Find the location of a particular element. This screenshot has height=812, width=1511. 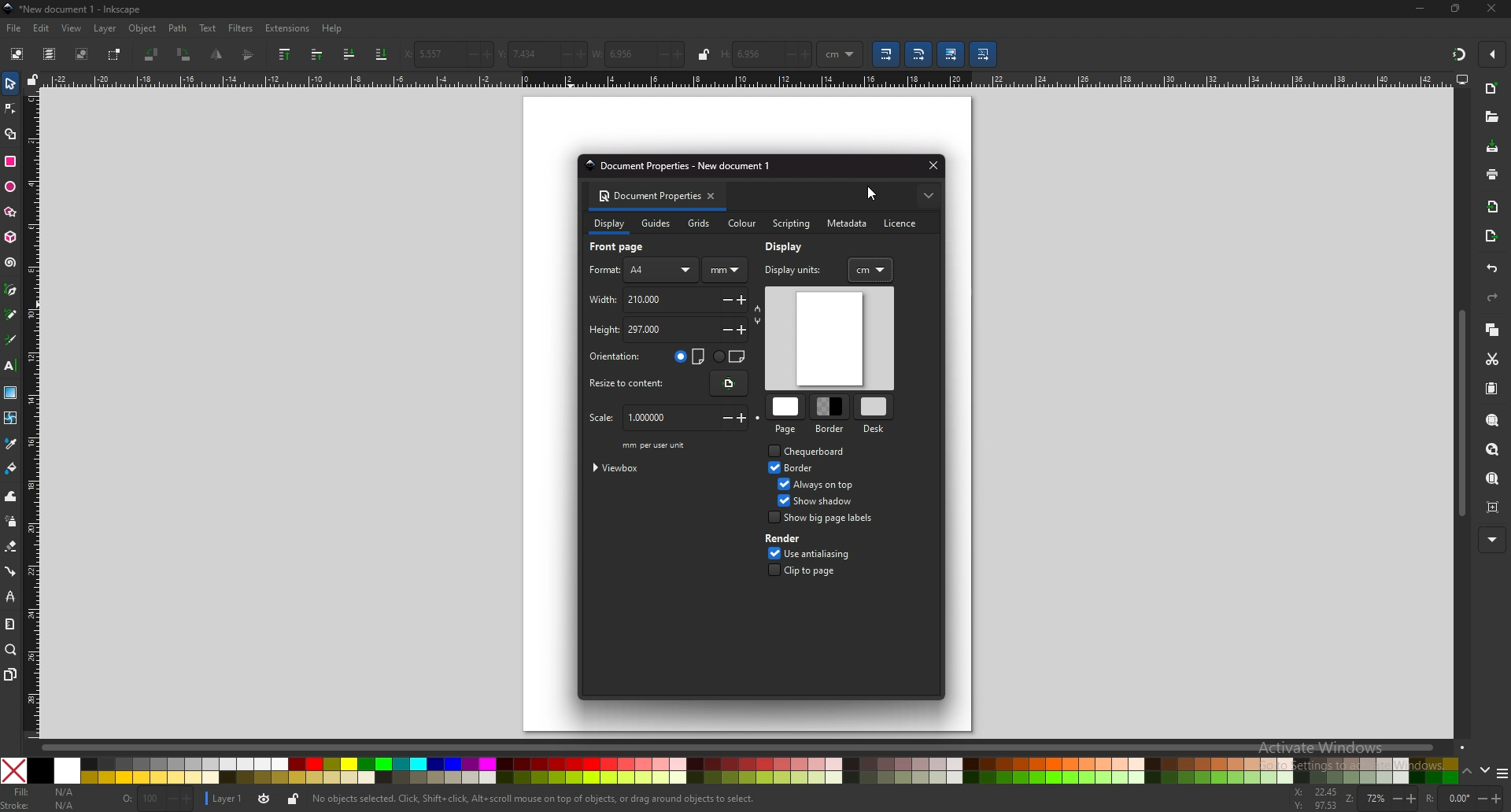

vertical coordinate is located at coordinates (519, 54).